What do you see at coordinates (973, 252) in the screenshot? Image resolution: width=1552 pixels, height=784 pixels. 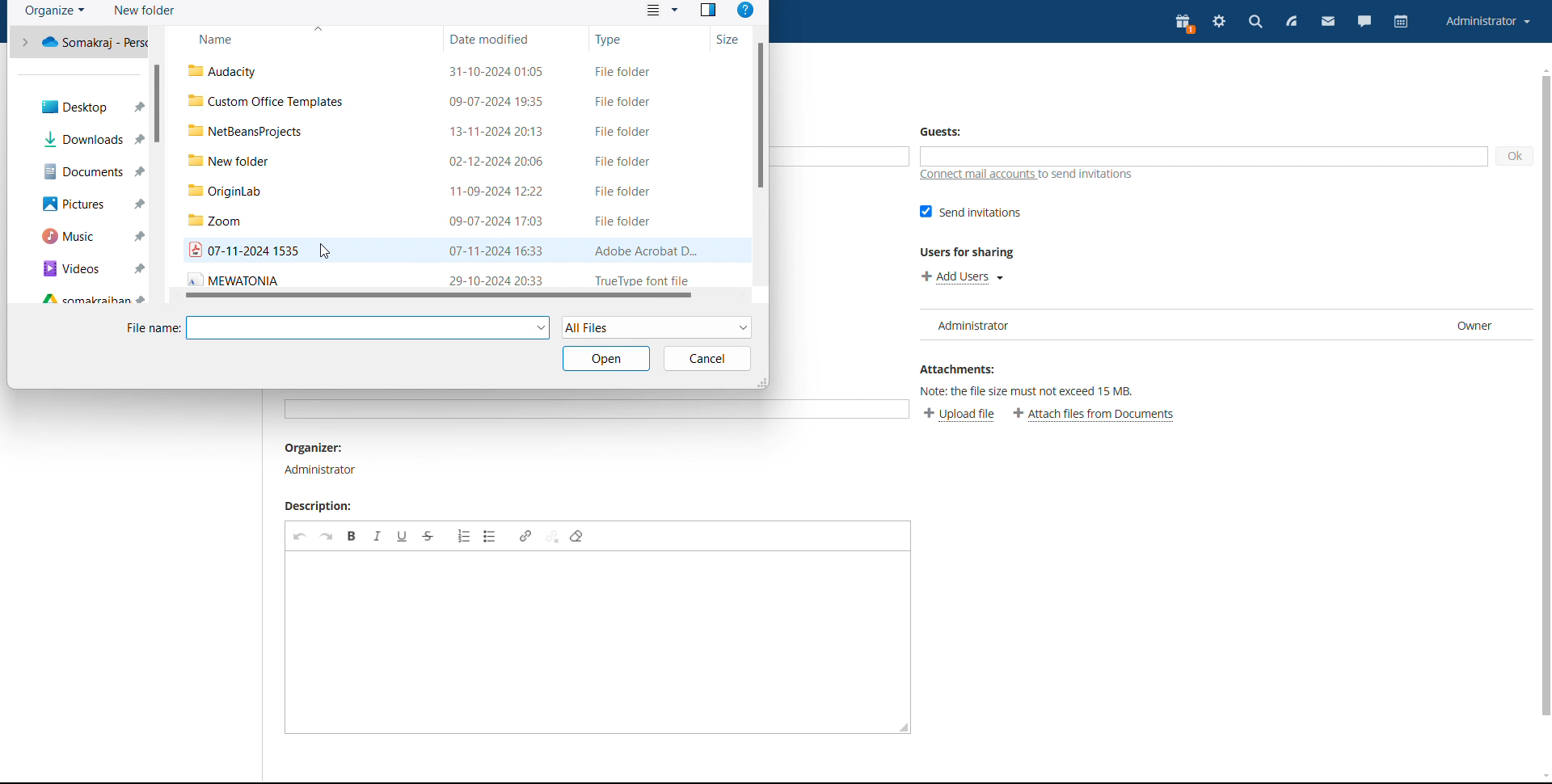 I see `users for sharing` at bounding box center [973, 252].